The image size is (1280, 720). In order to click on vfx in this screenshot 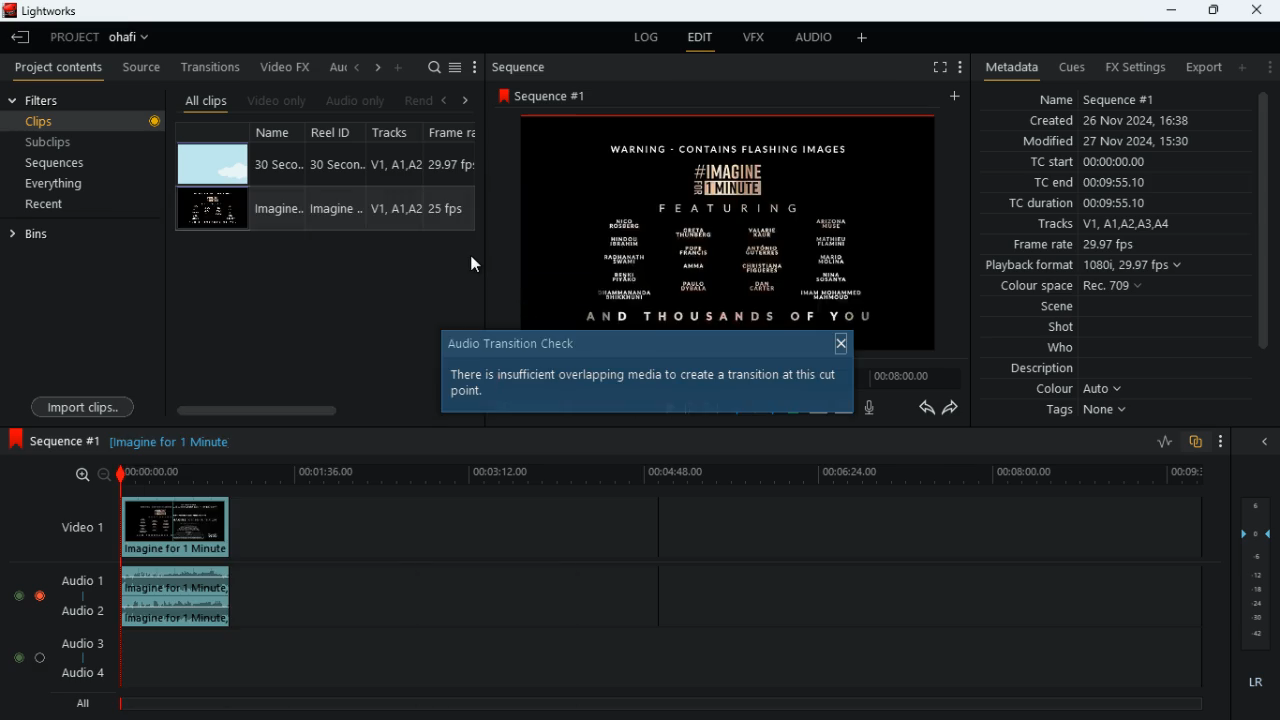, I will do `click(752, 39)`.